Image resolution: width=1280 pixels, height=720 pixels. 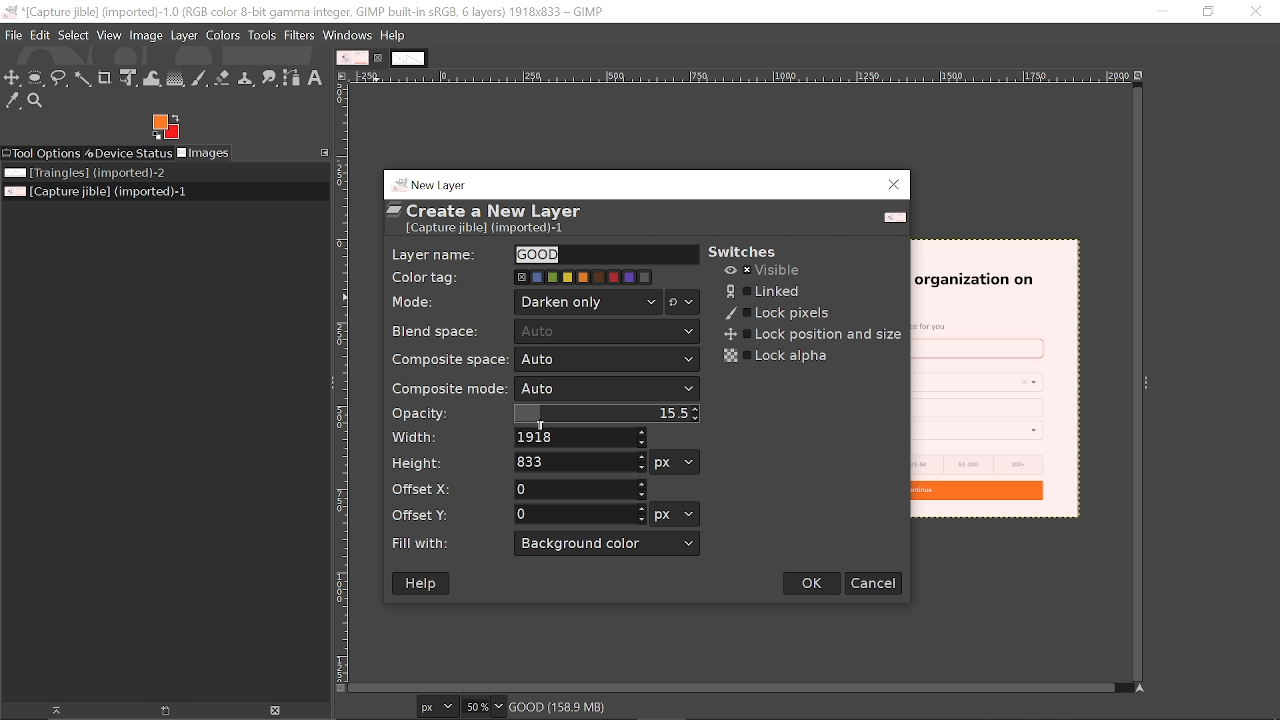 What do you see at coordinates (608, 333) in the screenshot?
I see `Auto v` at bounding box center [608, 333].